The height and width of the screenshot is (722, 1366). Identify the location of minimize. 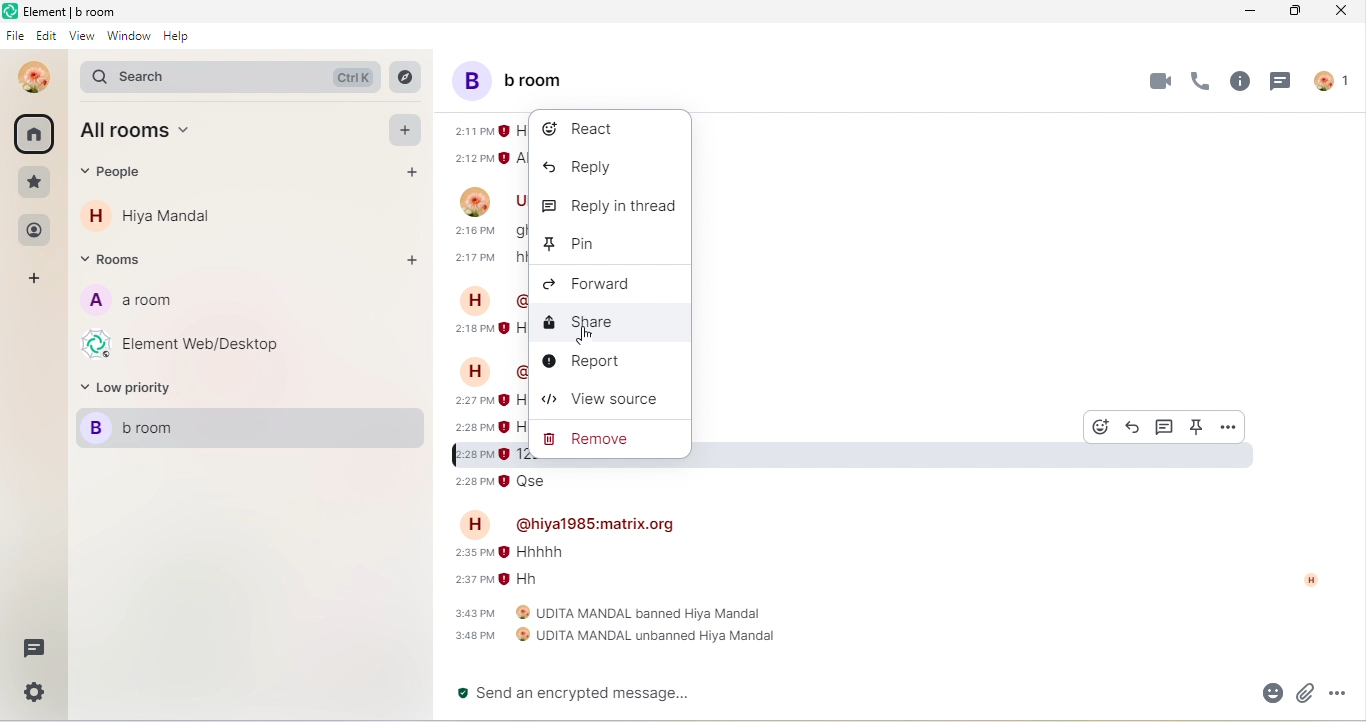
(1249, 12).